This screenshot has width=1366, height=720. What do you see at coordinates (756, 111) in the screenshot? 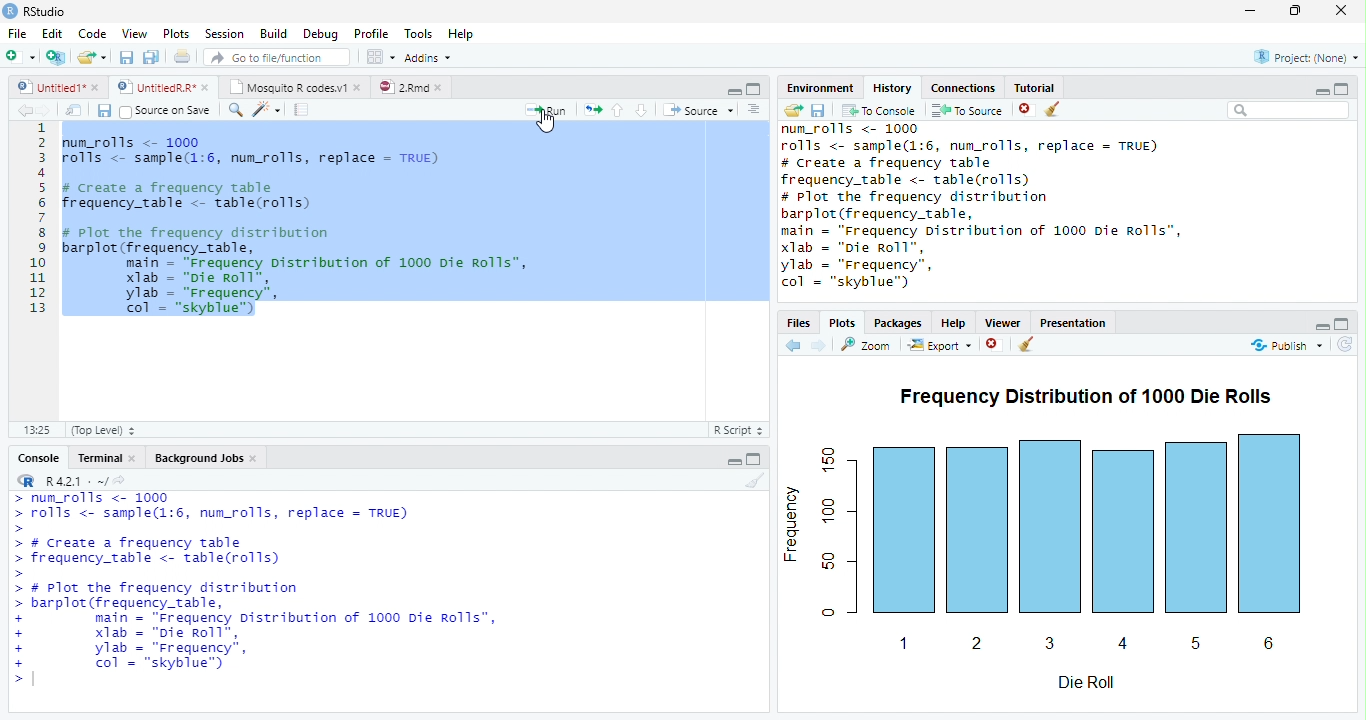
I see `List` at bounding box center [756, 111].